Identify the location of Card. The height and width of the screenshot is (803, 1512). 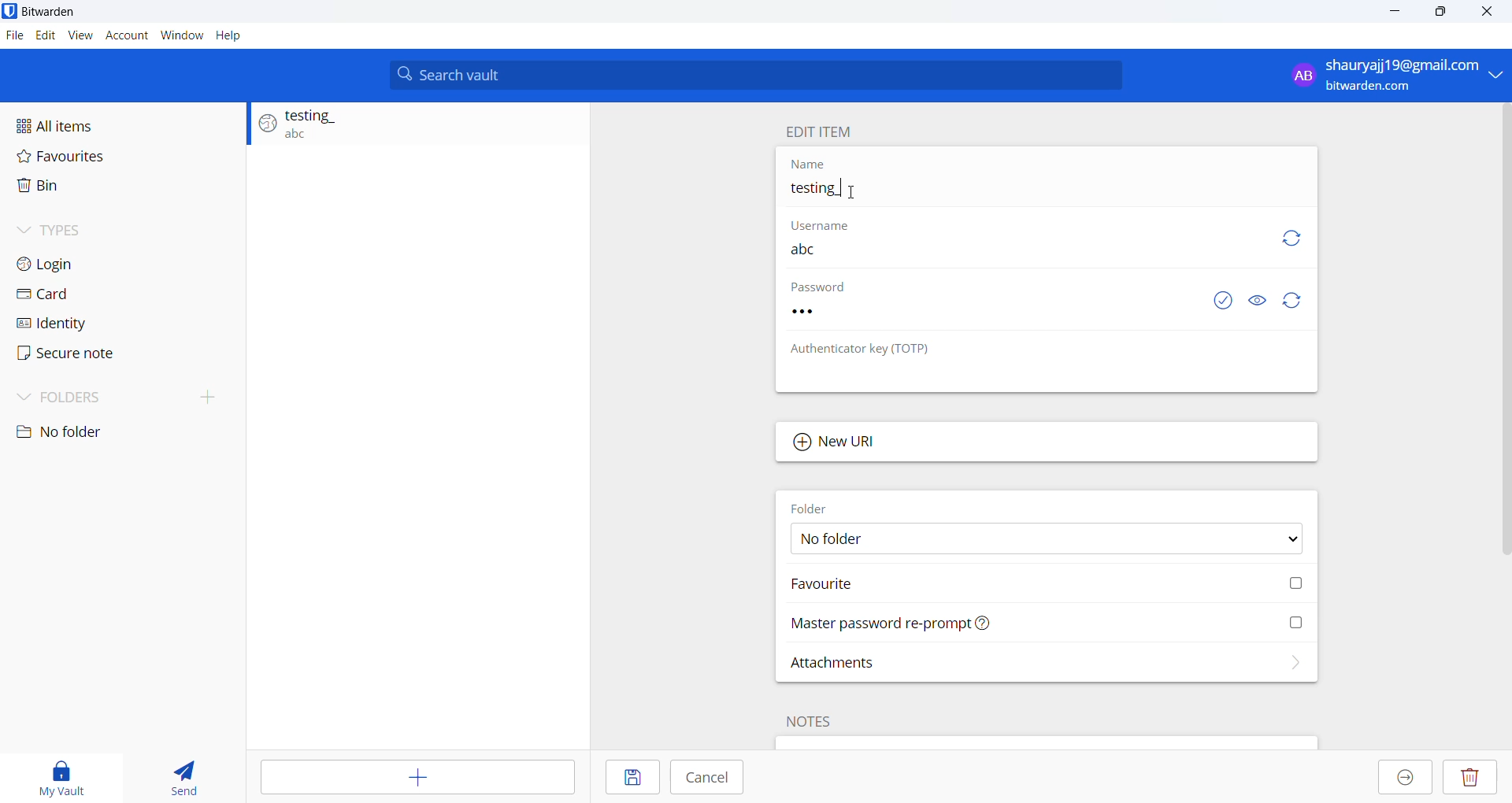
(108, 295).